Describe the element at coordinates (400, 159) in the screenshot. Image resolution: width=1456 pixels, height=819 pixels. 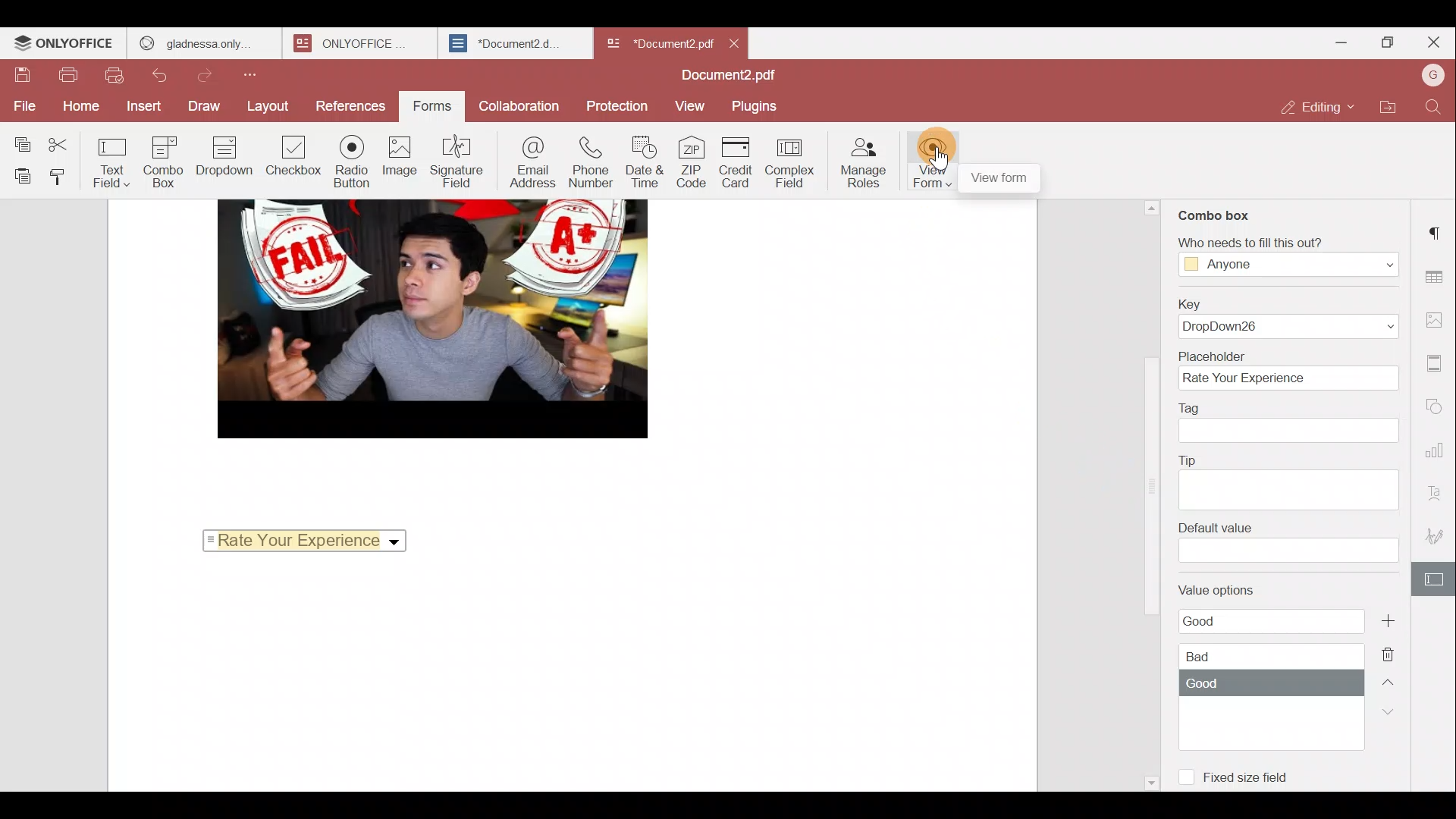
I see `Image` at that location.